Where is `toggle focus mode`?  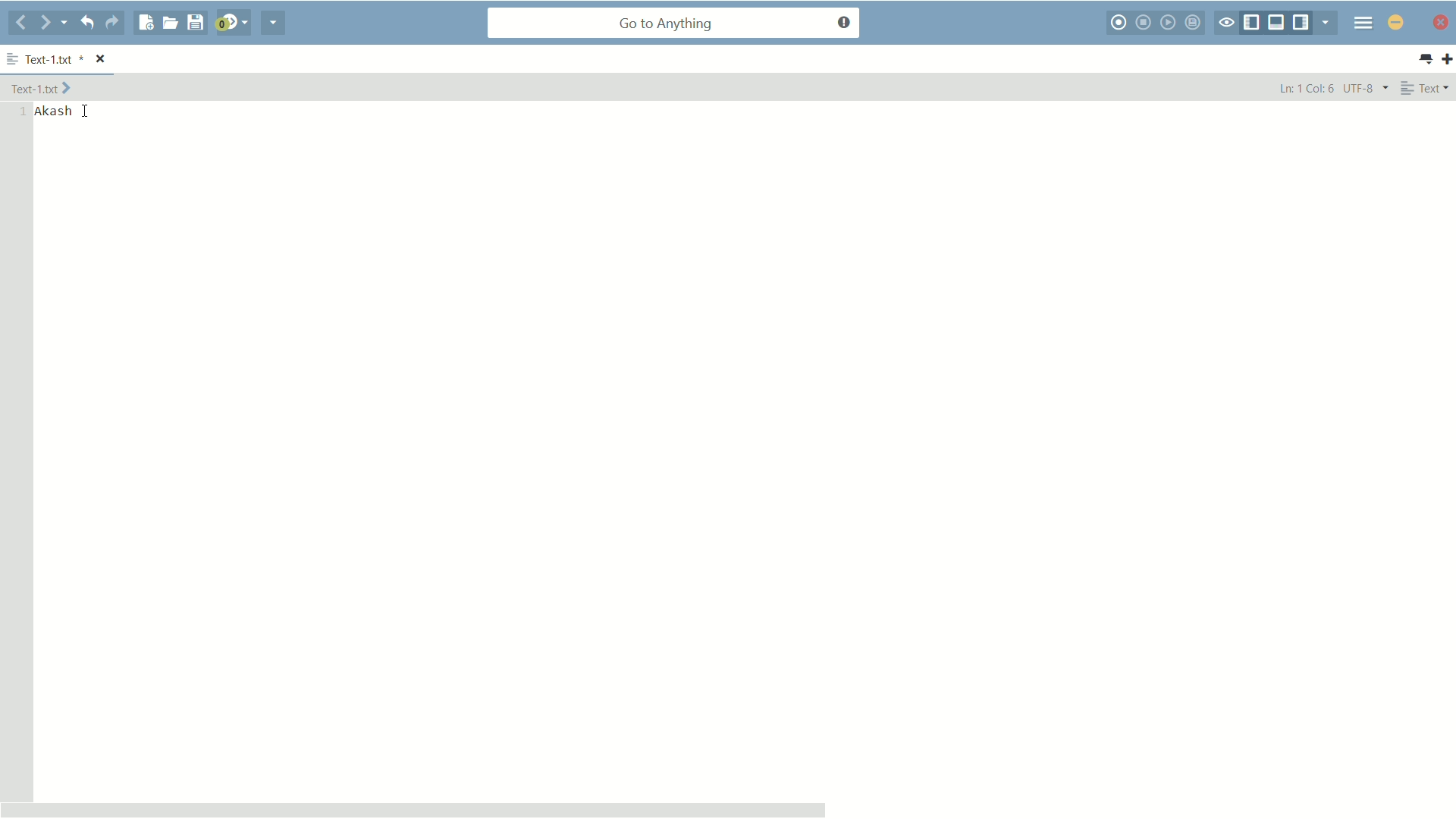
toggle focus mode is located at coordinates (1226, 24).